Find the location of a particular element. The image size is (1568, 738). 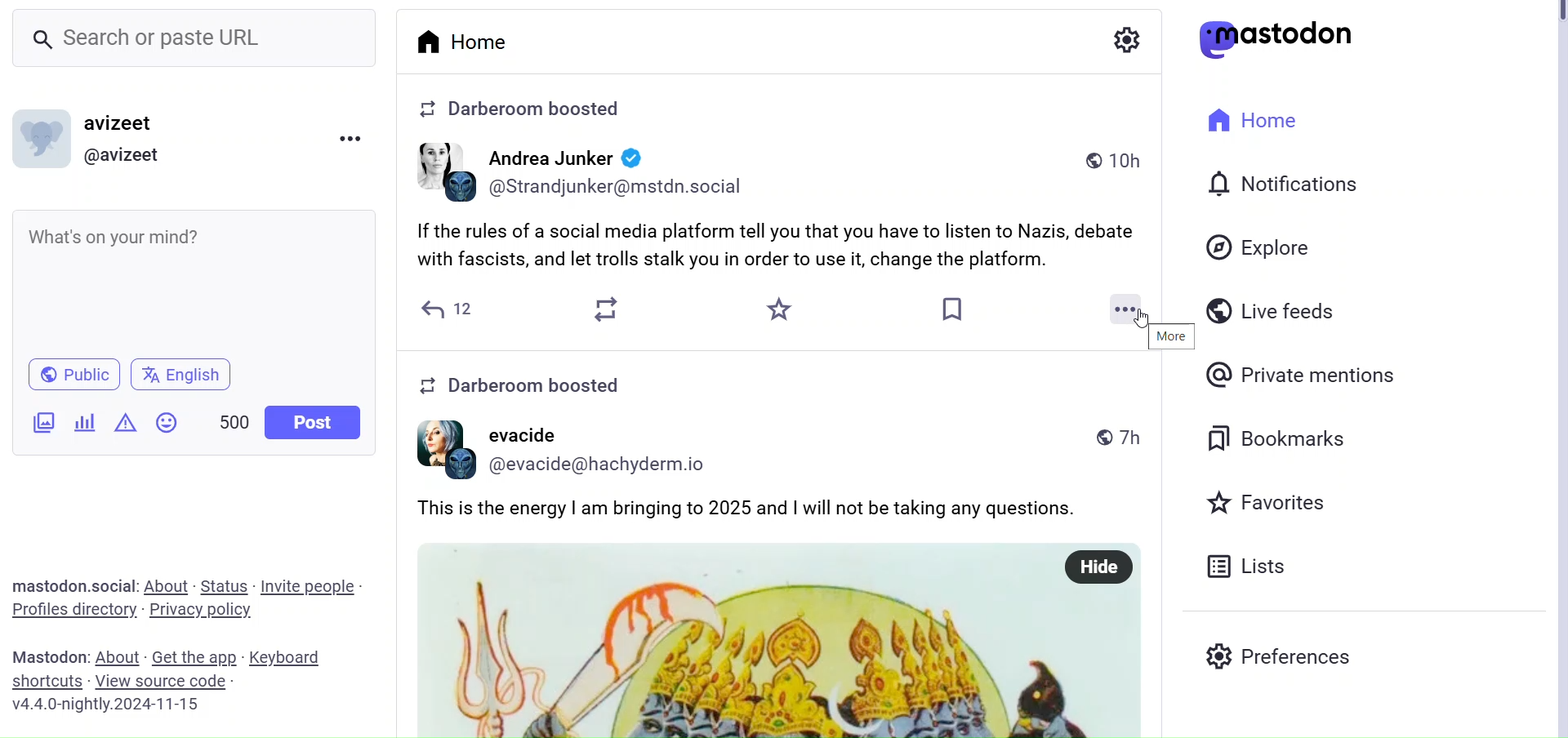

About is located at coordinates (167, 585).